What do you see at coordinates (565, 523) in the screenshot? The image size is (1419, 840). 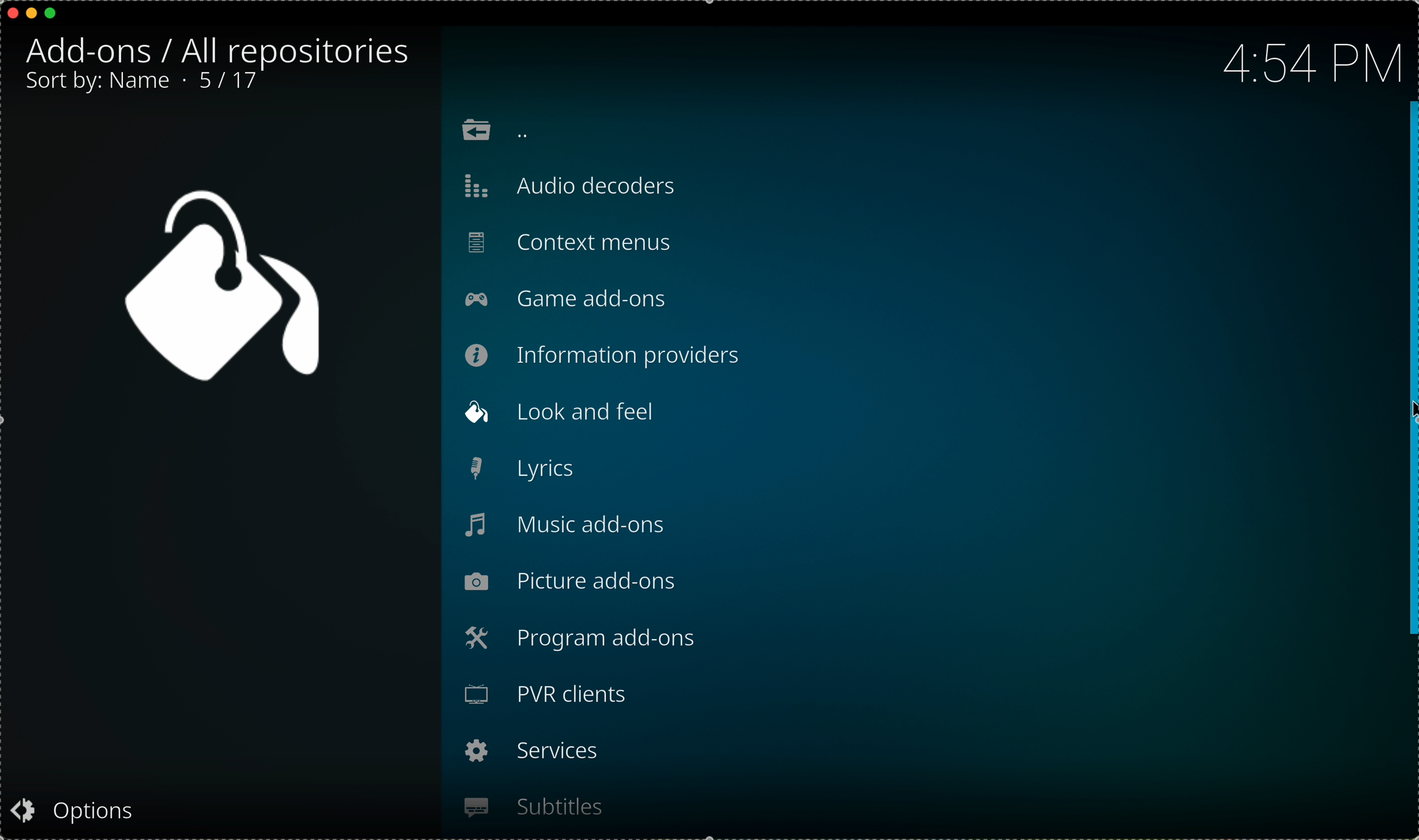 I see `music add-ons` at bounding box center [565, 523].